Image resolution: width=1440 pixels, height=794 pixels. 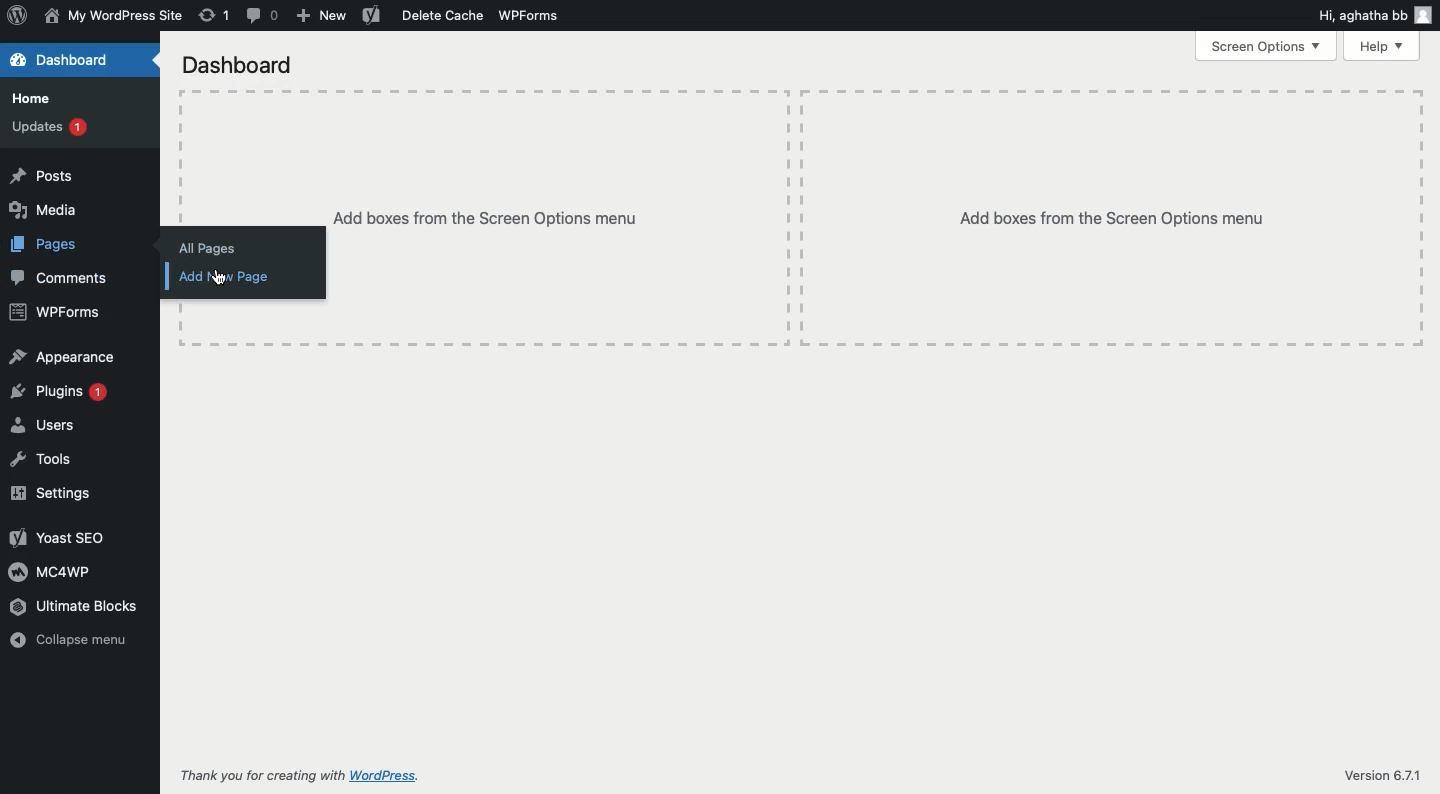 I want to click on Comments, so click(x=61, y=279).